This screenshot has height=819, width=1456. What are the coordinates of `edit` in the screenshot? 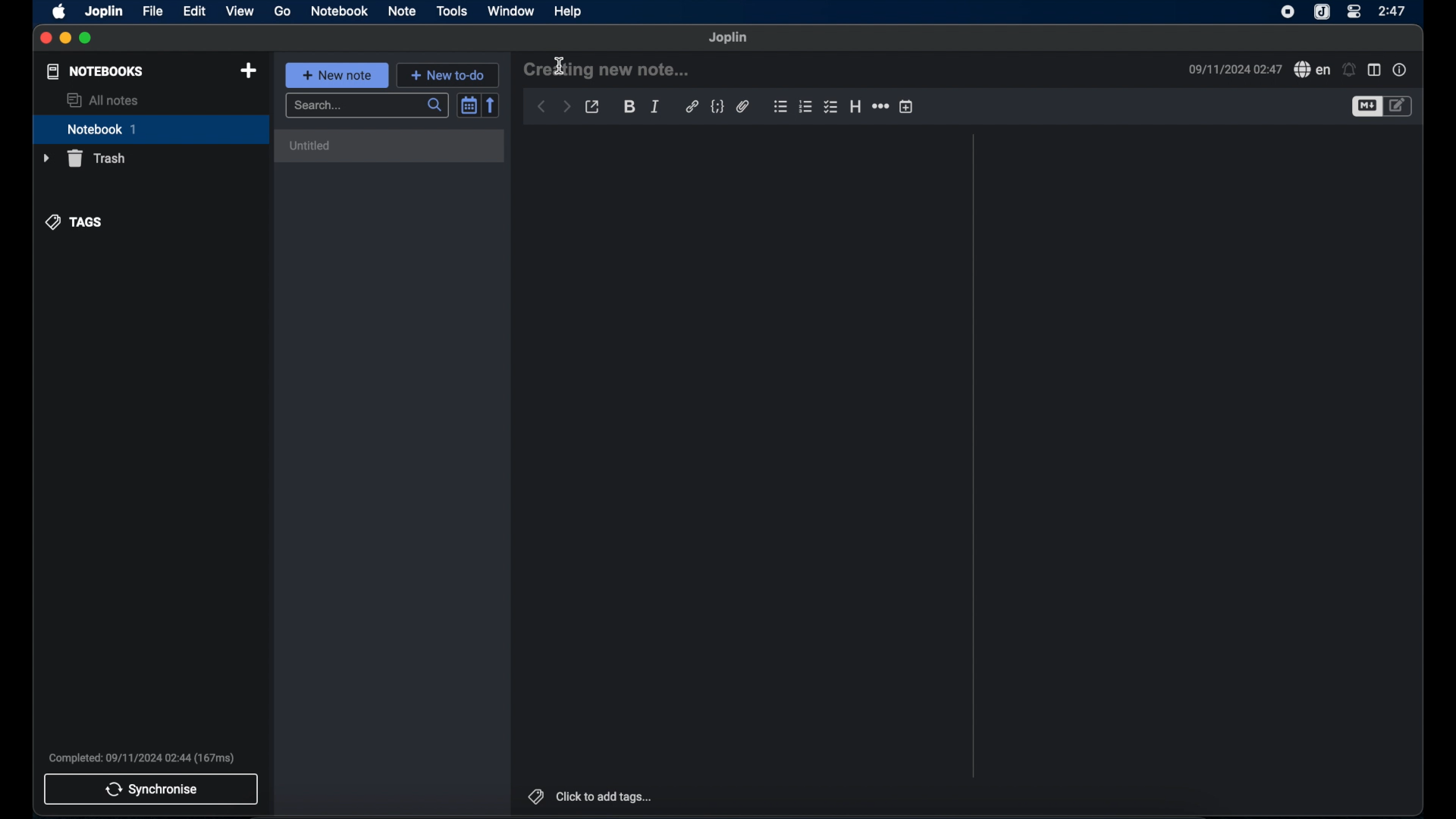 It's located at (195, 11).